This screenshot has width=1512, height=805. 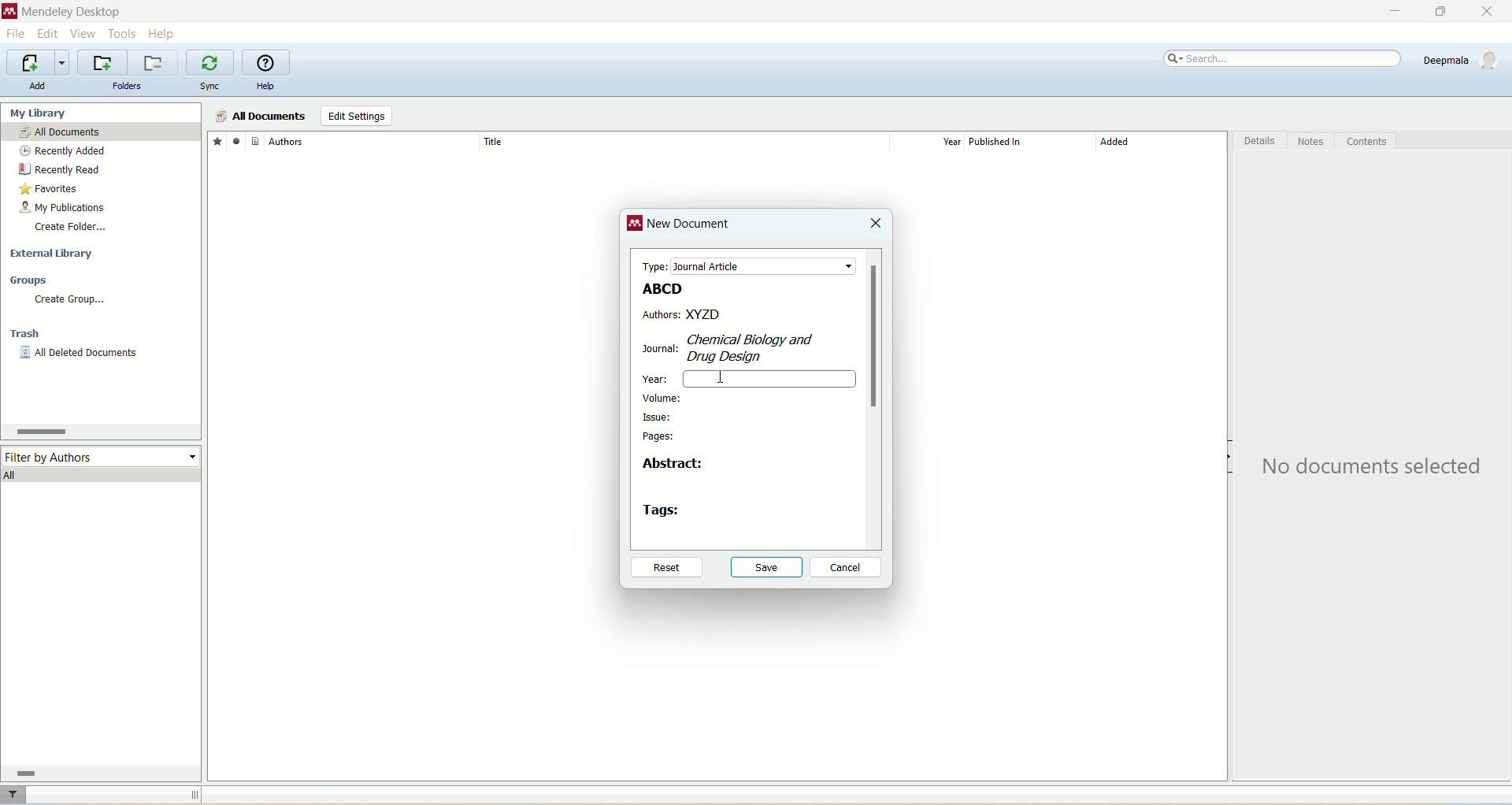 What do you see at coordinates (163, 33) in the screenshot?
I see `help` at bounding box center [163, 33].